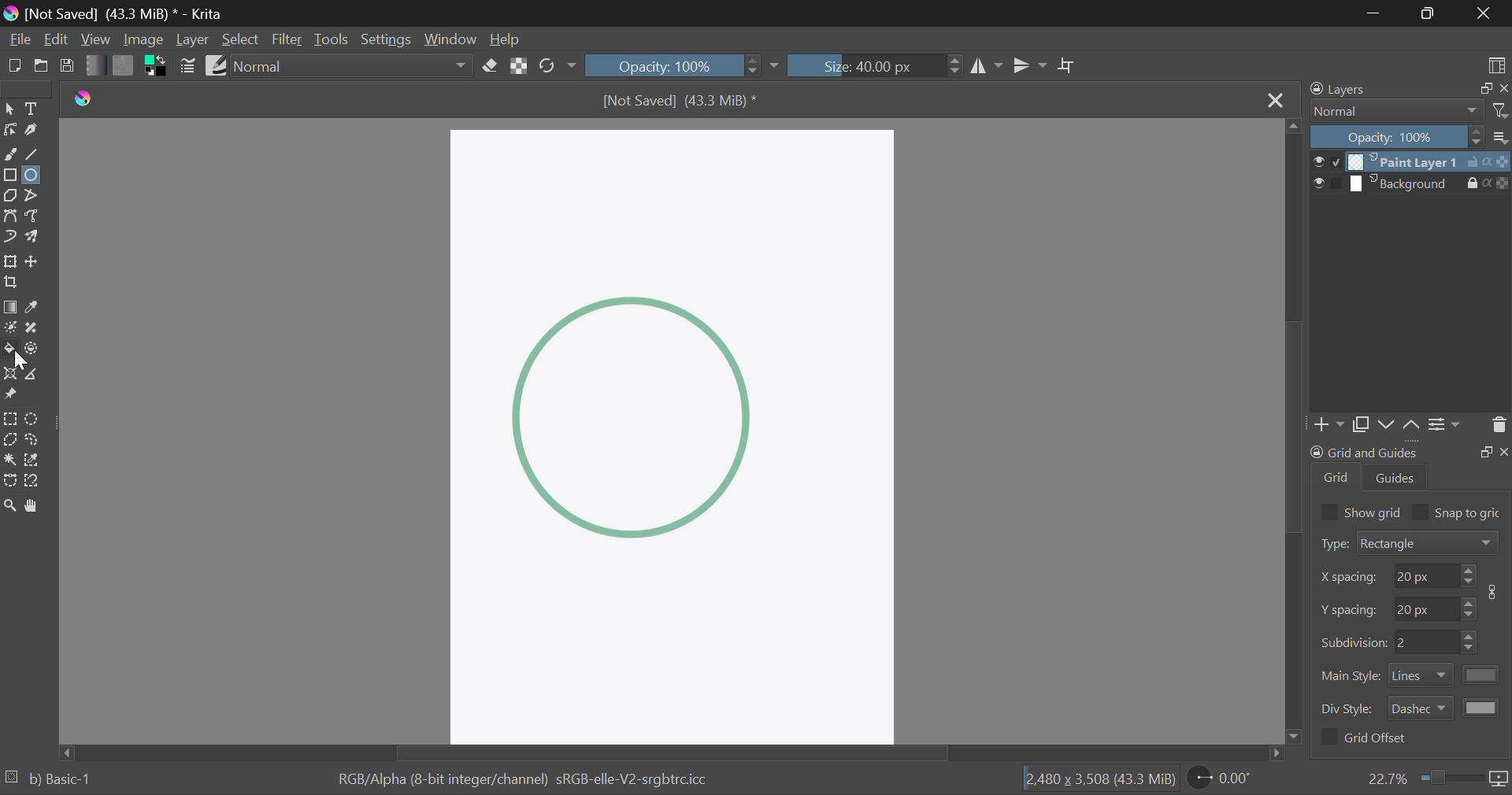  Describe the element at coordinates (9, 283) in the screenshot. I see `Crop` at that location.